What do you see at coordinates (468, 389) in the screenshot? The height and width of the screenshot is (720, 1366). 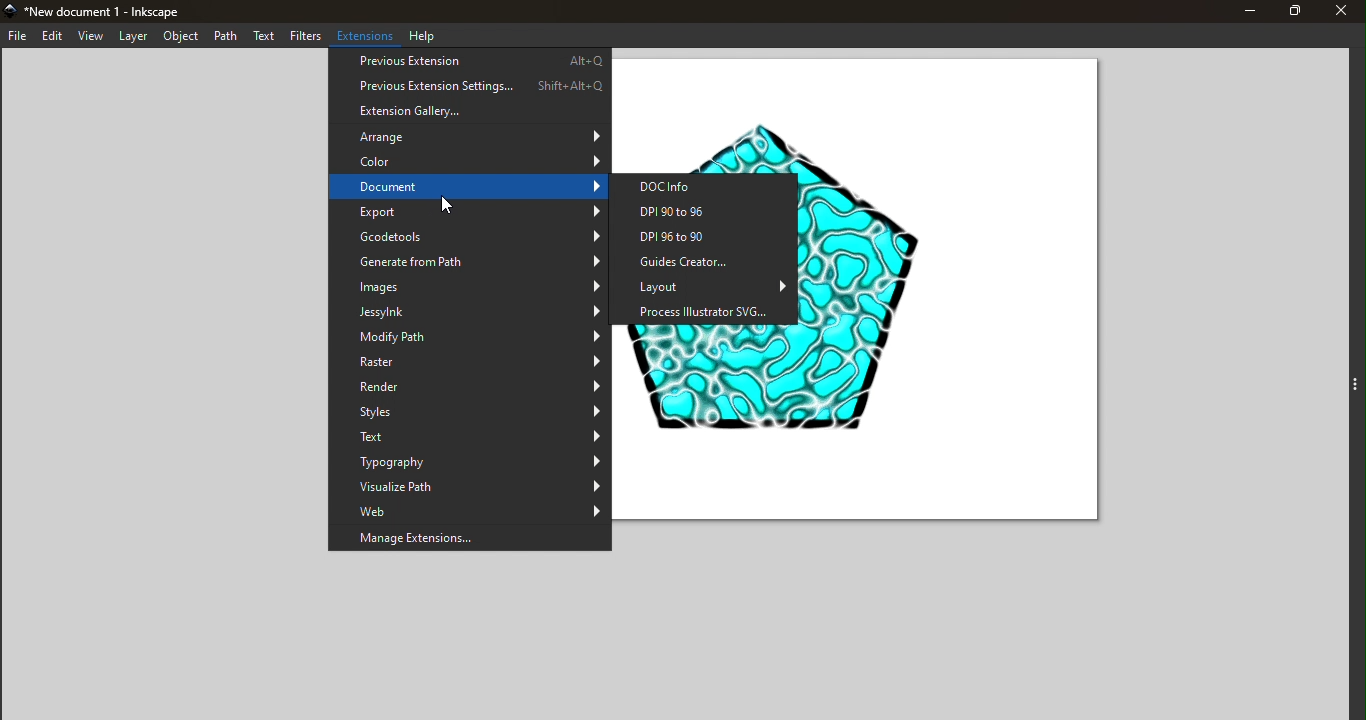 I see `Render` at bounding box center [468, 389].